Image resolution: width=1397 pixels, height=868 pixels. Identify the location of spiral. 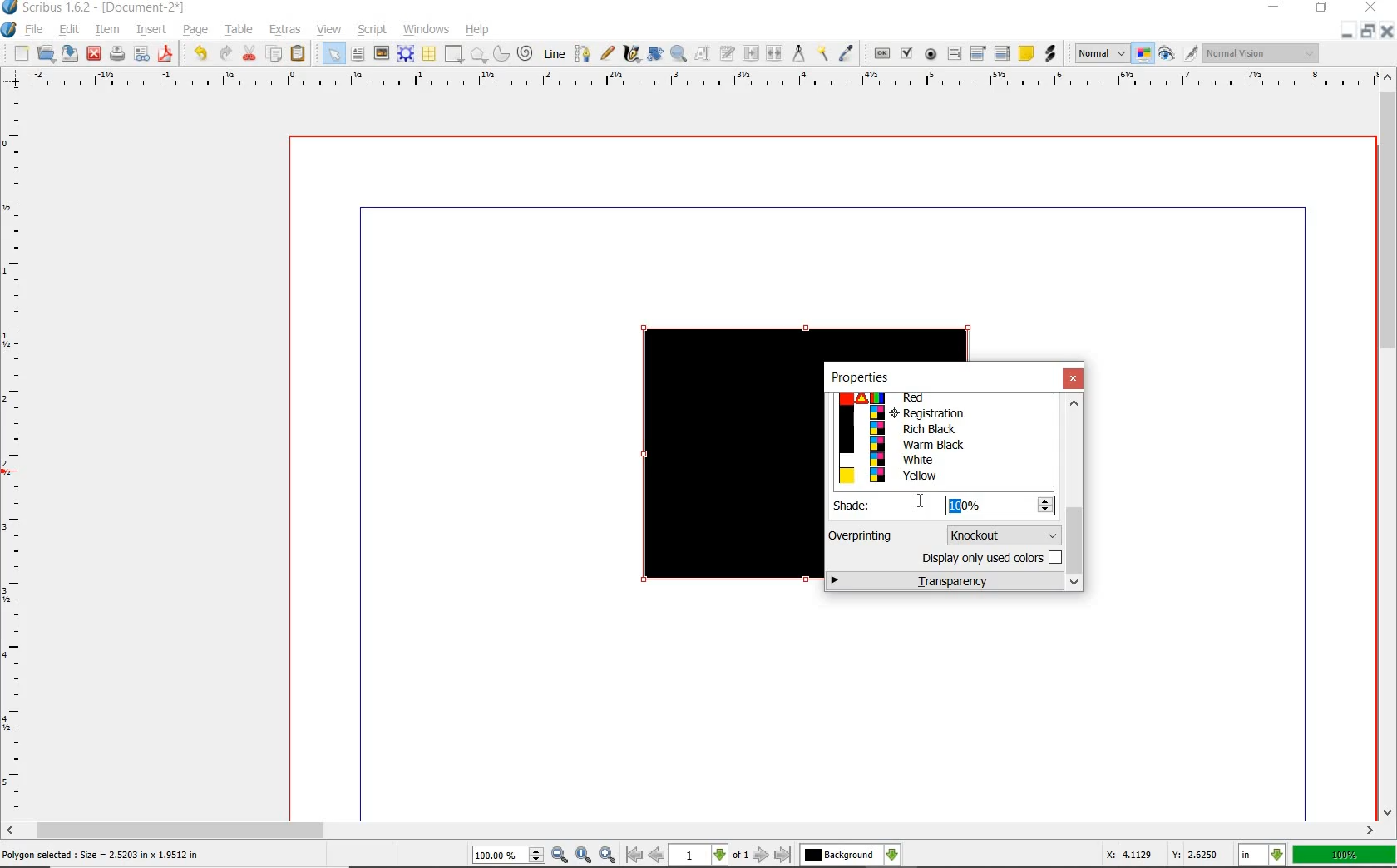
(527, 55).